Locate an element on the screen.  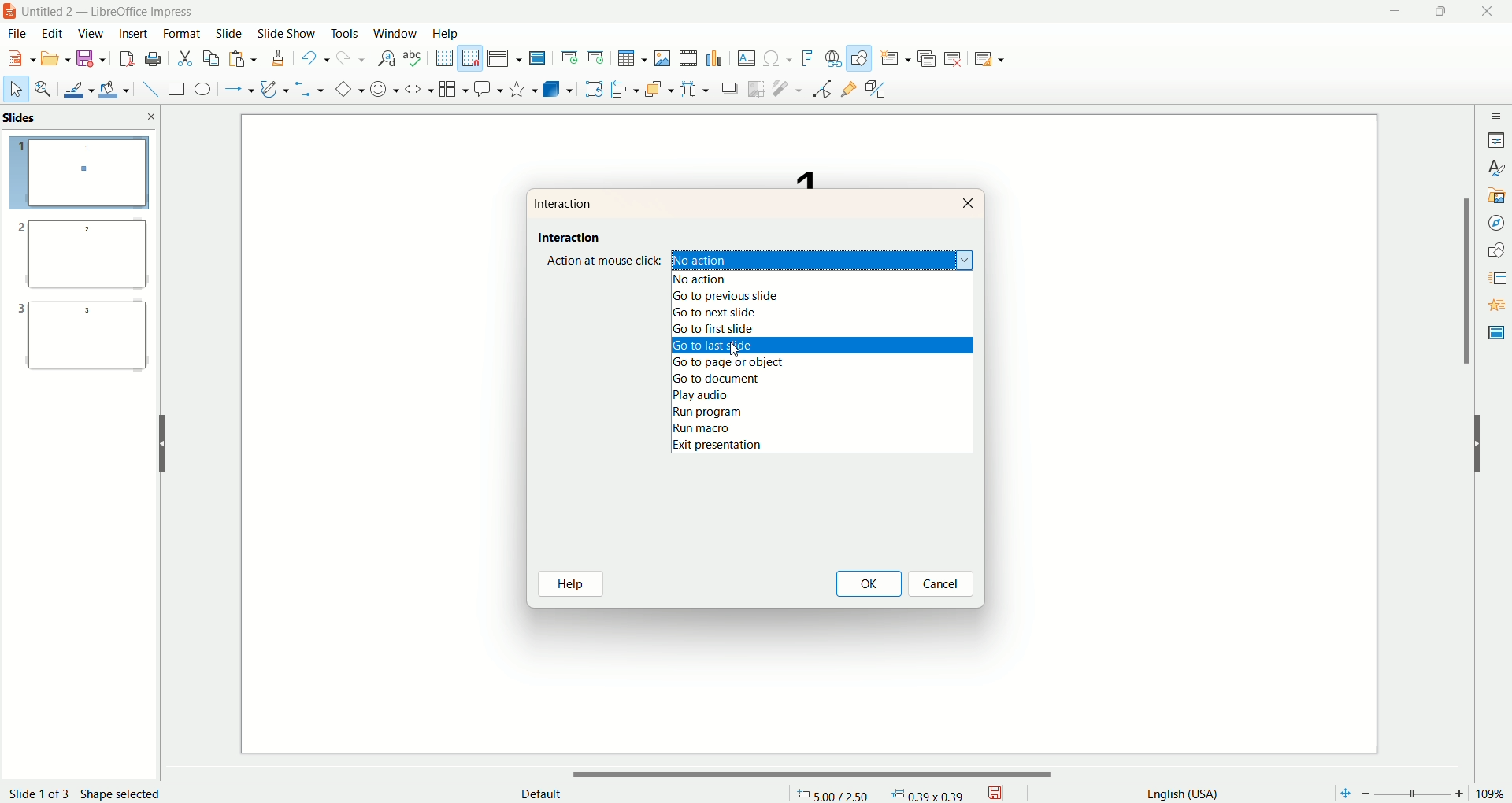
flowchart is located at coordinates (450, 90).